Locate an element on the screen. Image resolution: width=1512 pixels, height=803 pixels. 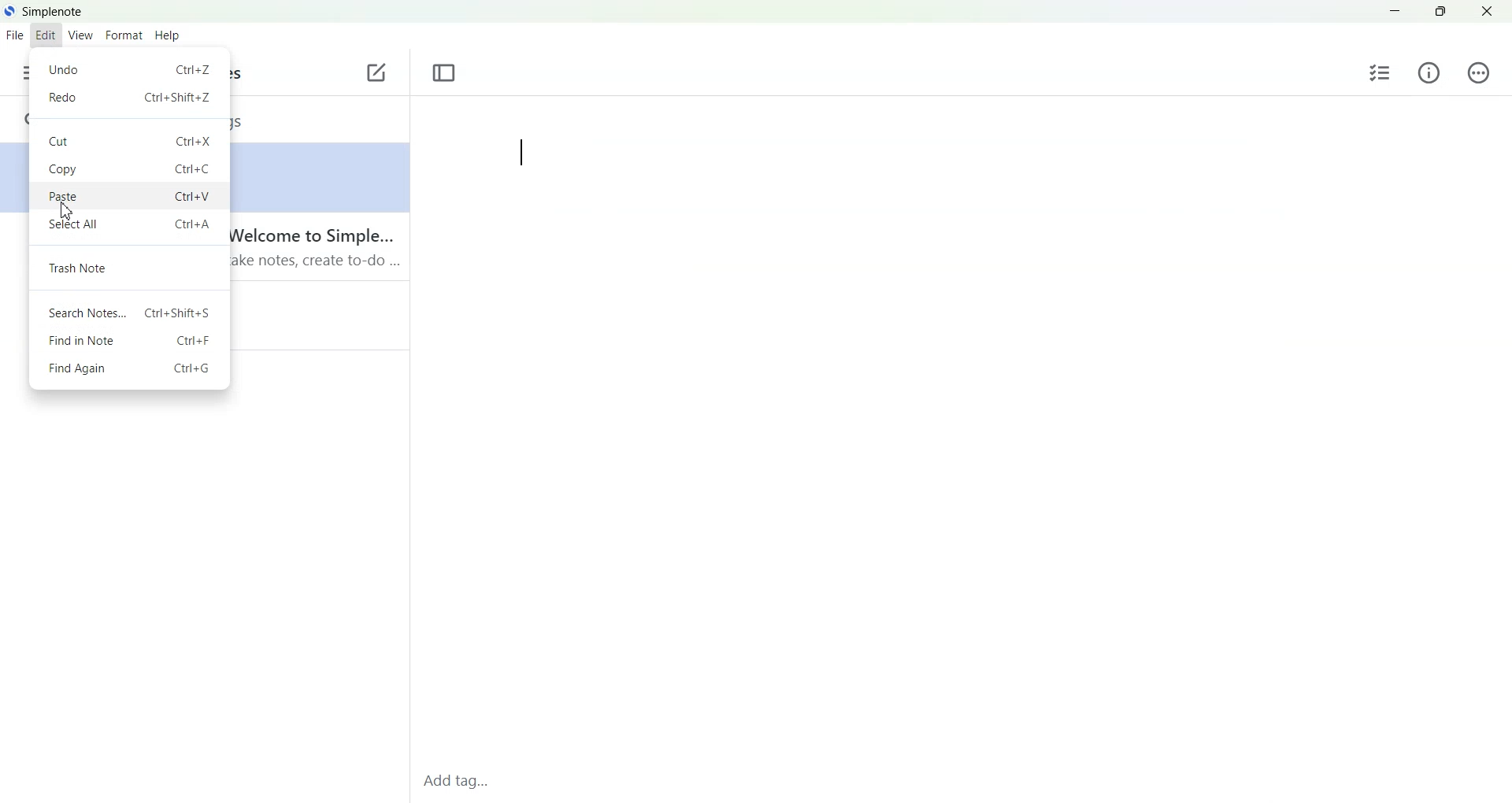
Redo Ctrl + Shift + Z is located at coordinates (130, 98).